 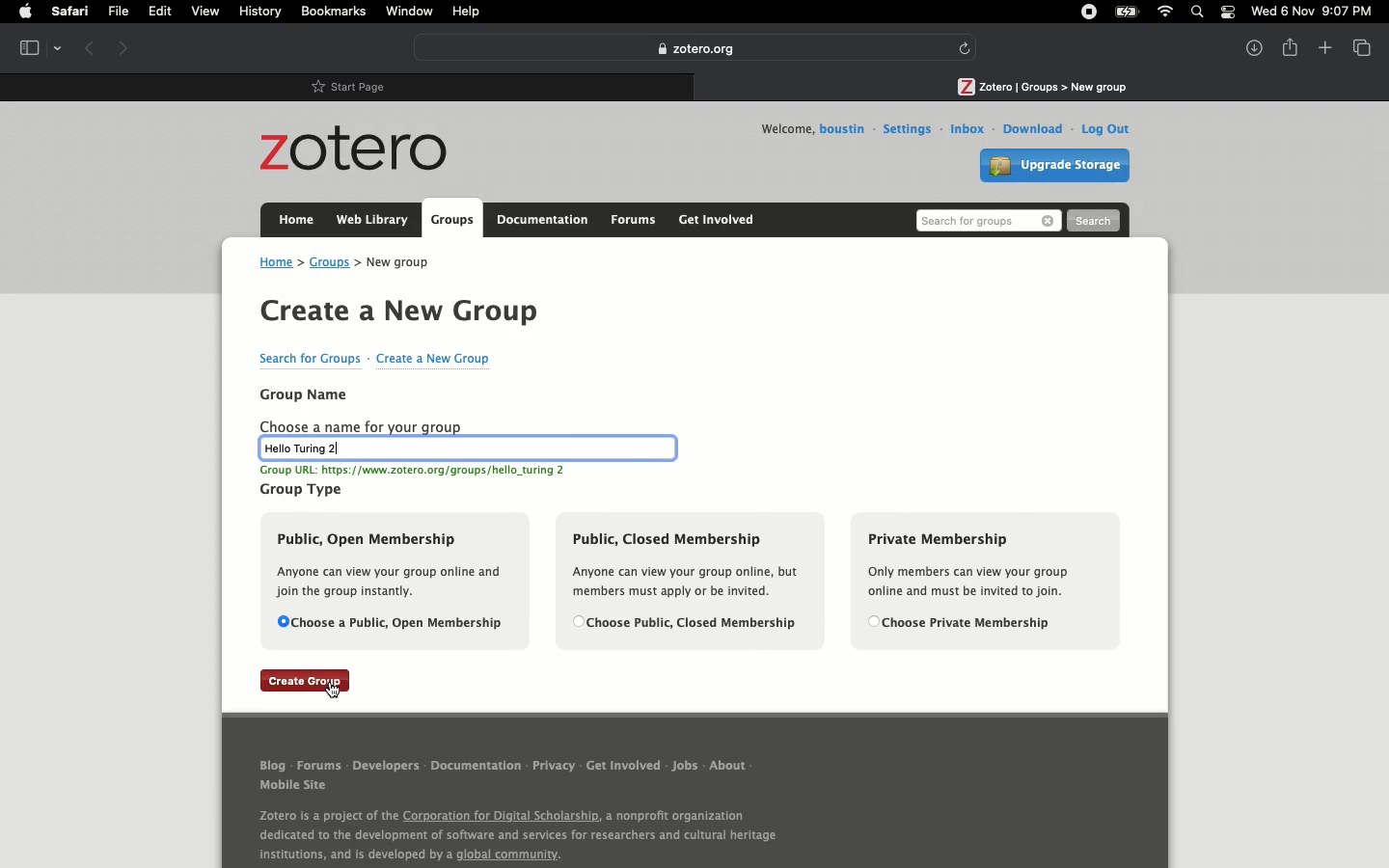 What do you see at coordinates (1291, 46) in the screenshot?
I see `Share` at bounding box center [1291, 46].